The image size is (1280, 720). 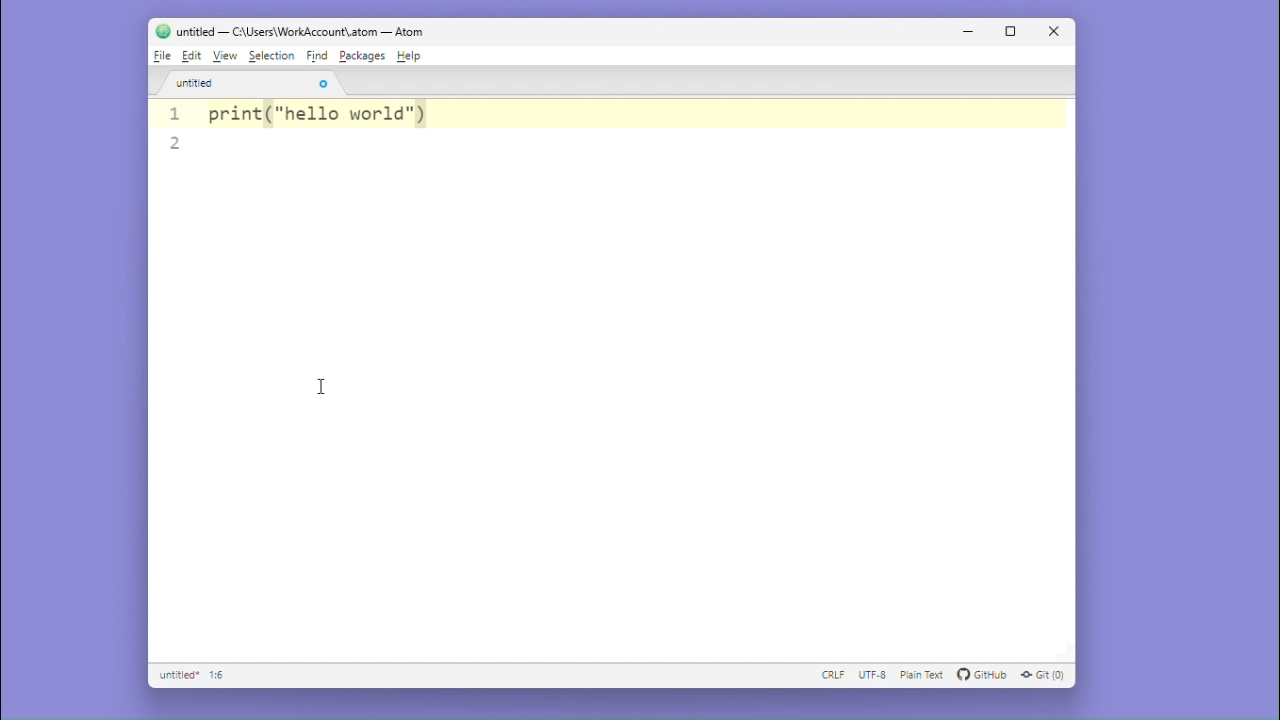 What do you see at coordinates (193, 56) in the screenshot?
I see `Edit` at bounding box center [193, 56].